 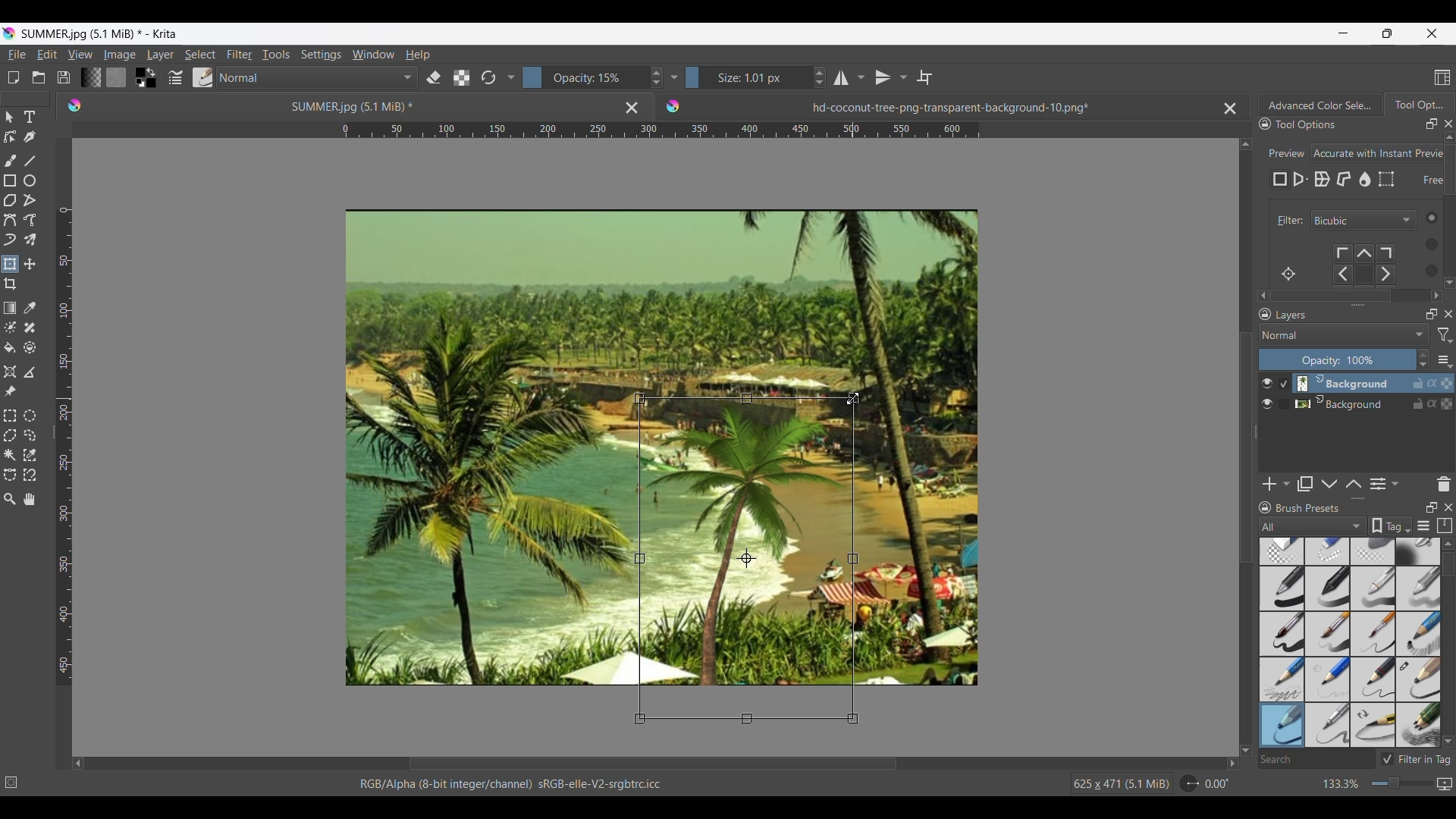 What do you see at coordinates (1329, 485) in the screenshot?
I see `Move layer/mask down` at bounding box center [1329, 485].